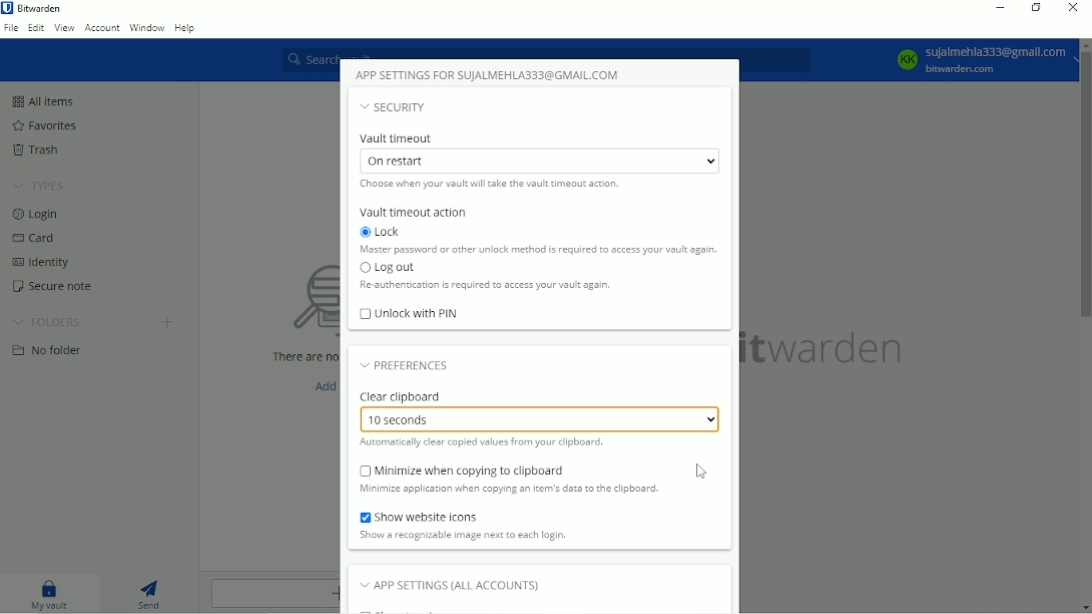  I want to click on Folders, so click(49, 321).